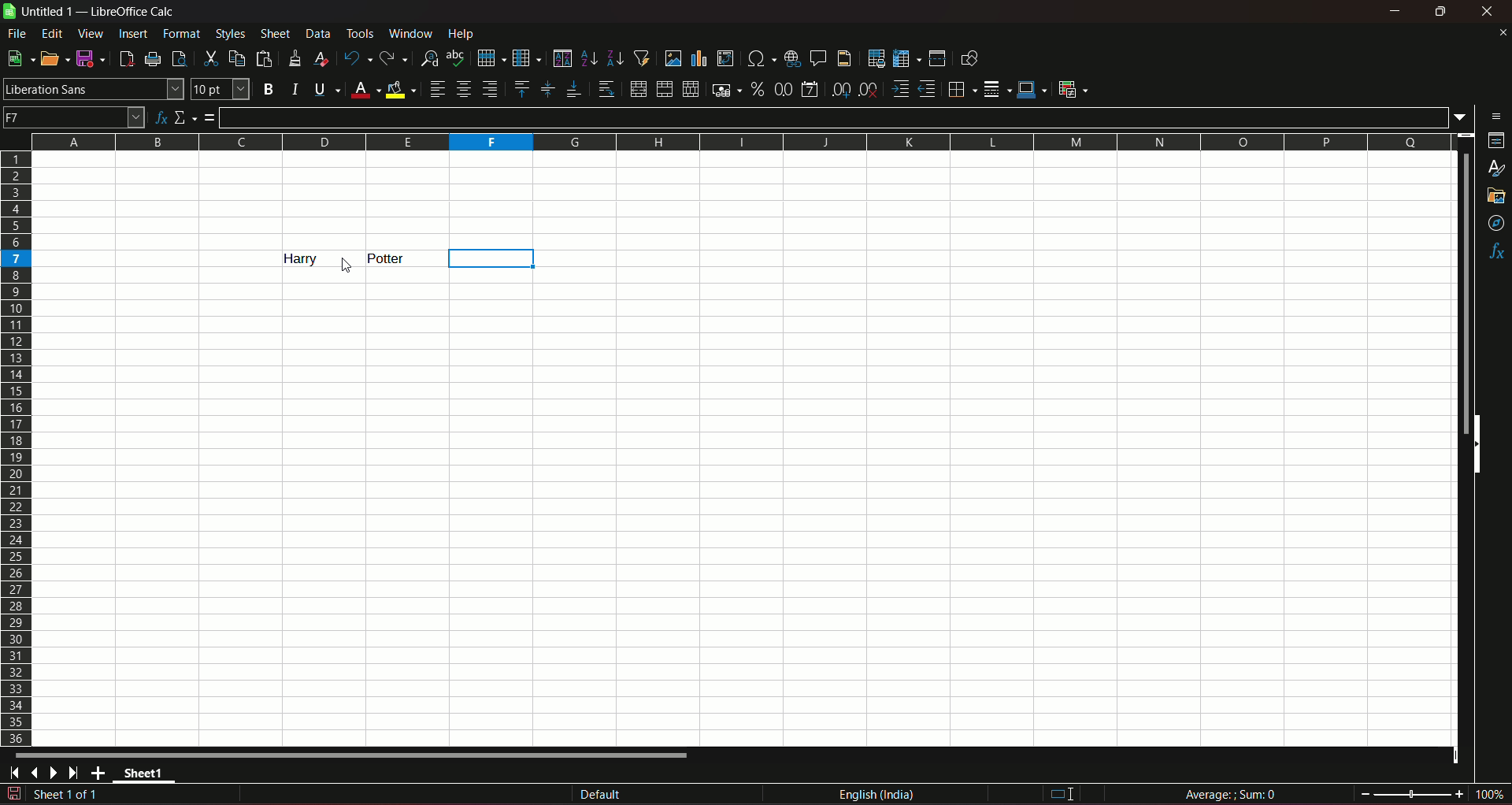 The image size is (1512, 805). What do you see at coordinates (1233, 794) in the screenshot?
I see `formula` at bounding box center [1233, 794].